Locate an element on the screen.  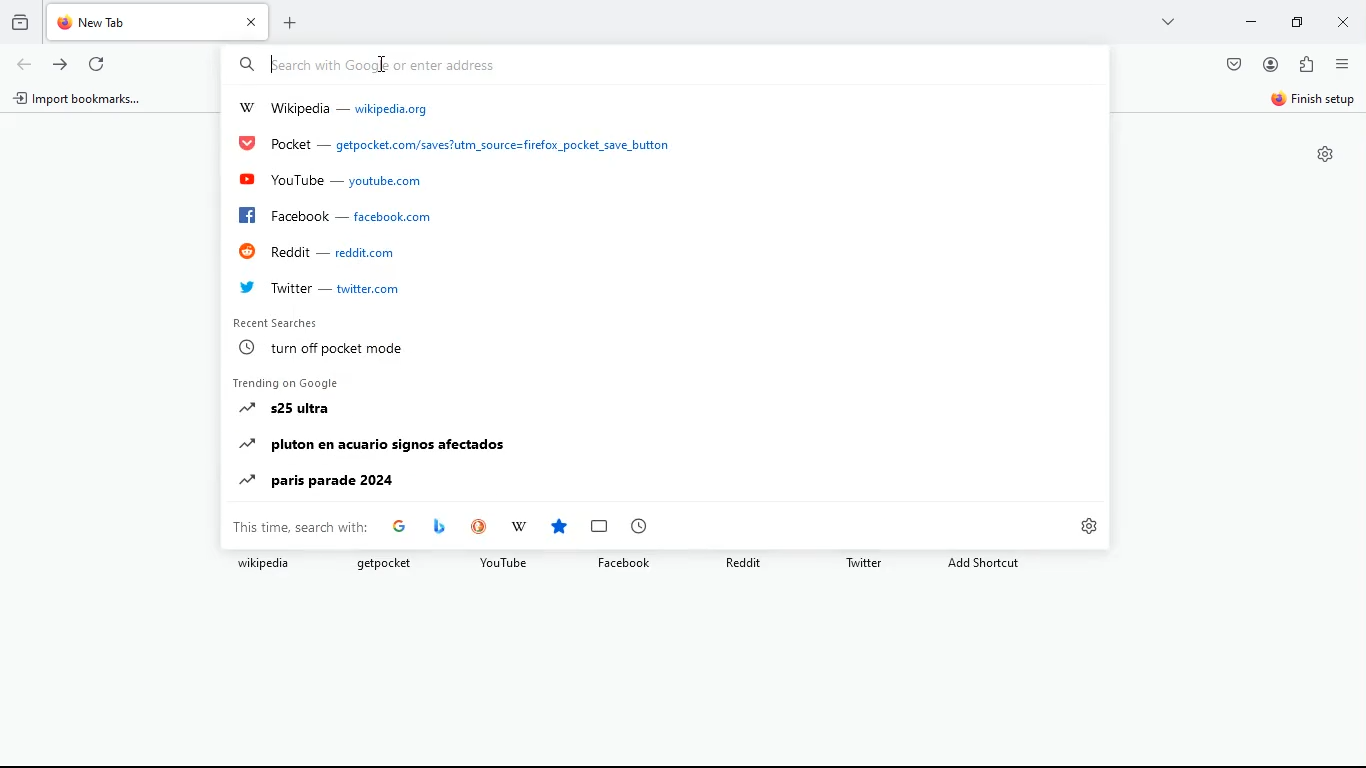
options is located at coordinates (1343, 67).